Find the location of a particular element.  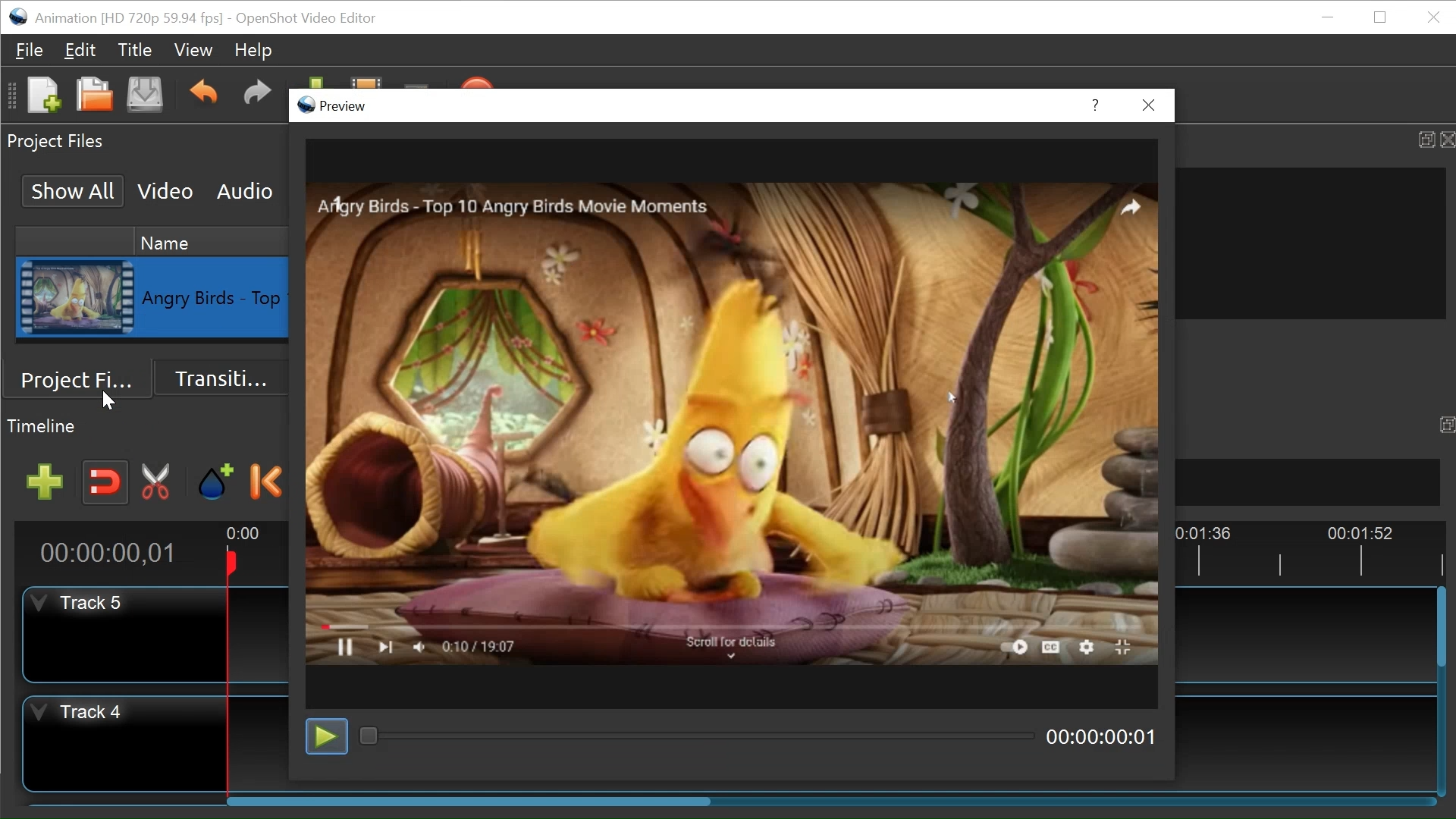

minimize is located at coordinates (1328, 16).